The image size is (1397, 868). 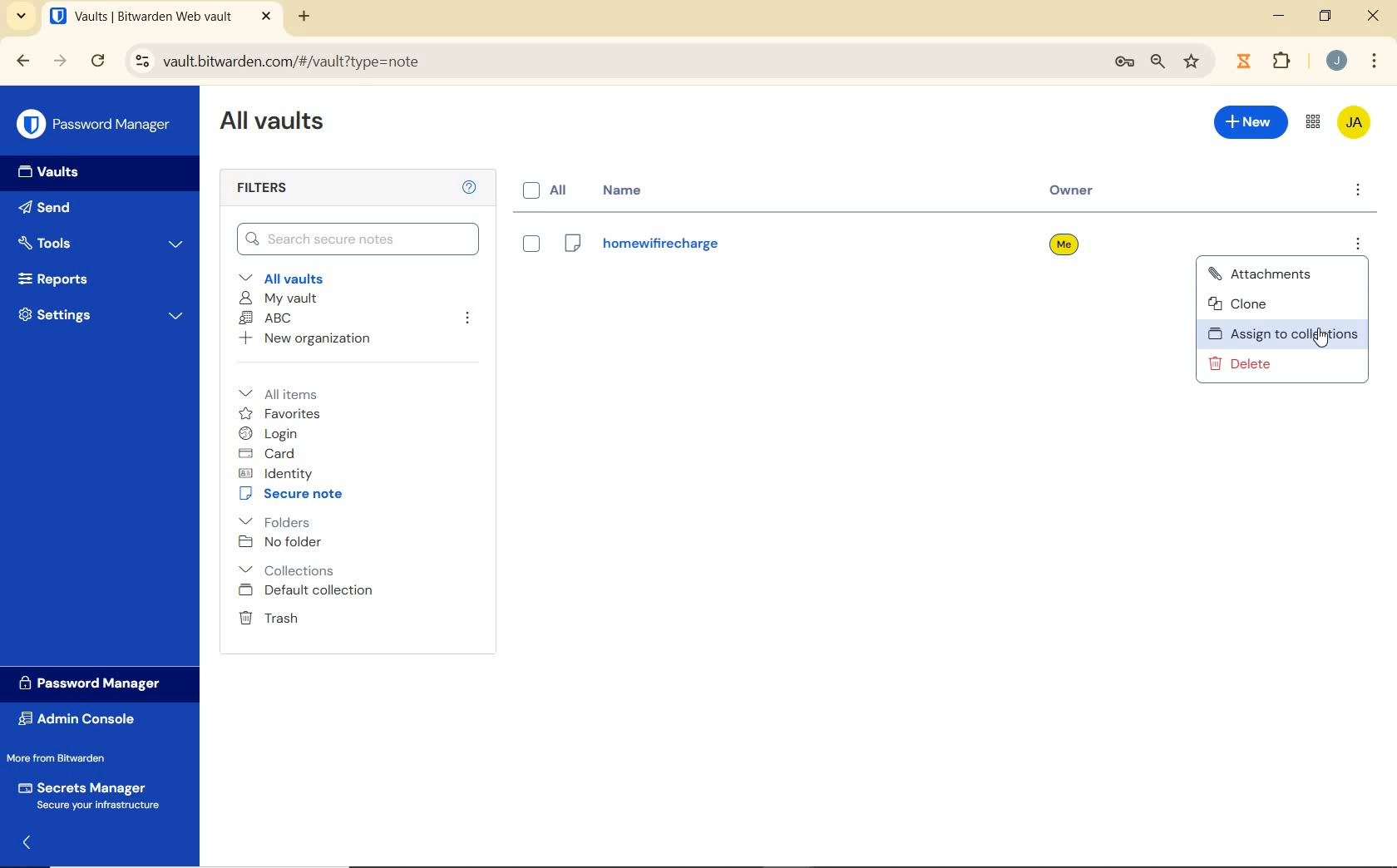 What do you see at coordinates (269, 453) in the screenshot?
I see `card` at bounding box center [269, 453].